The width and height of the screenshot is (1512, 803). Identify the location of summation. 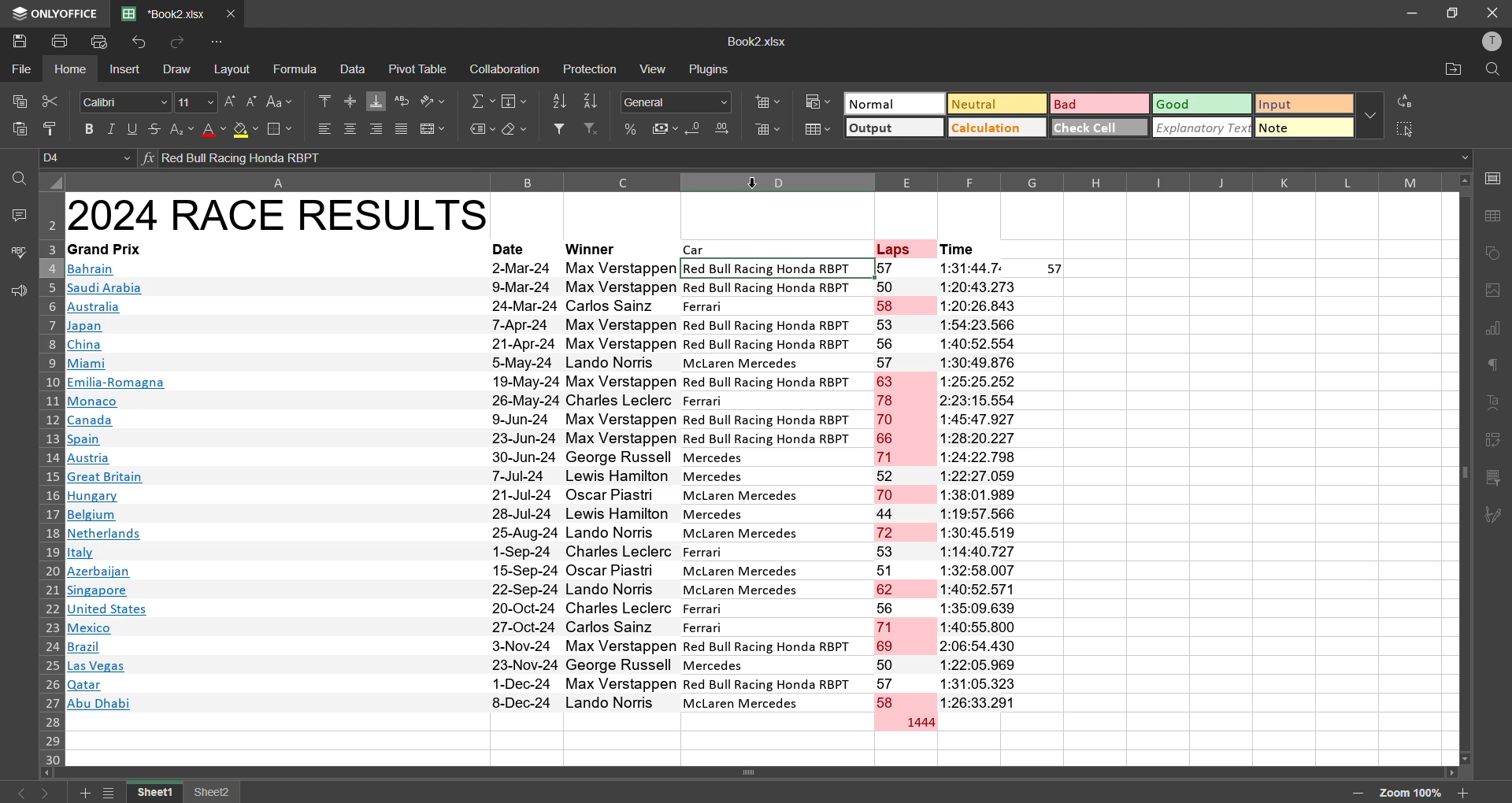
(483, 102).